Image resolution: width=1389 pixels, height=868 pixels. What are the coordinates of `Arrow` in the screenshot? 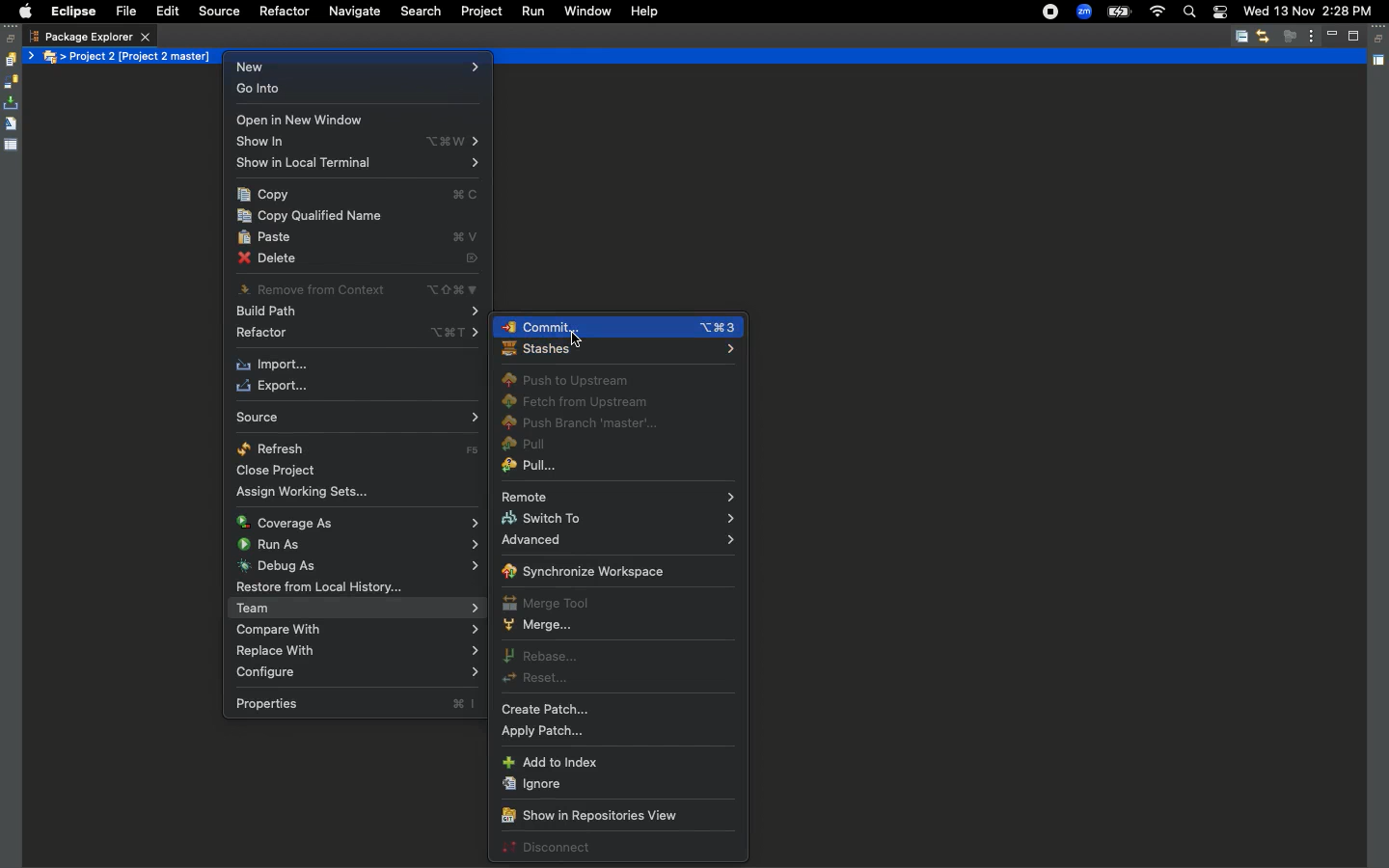 It's located at (33, 56).